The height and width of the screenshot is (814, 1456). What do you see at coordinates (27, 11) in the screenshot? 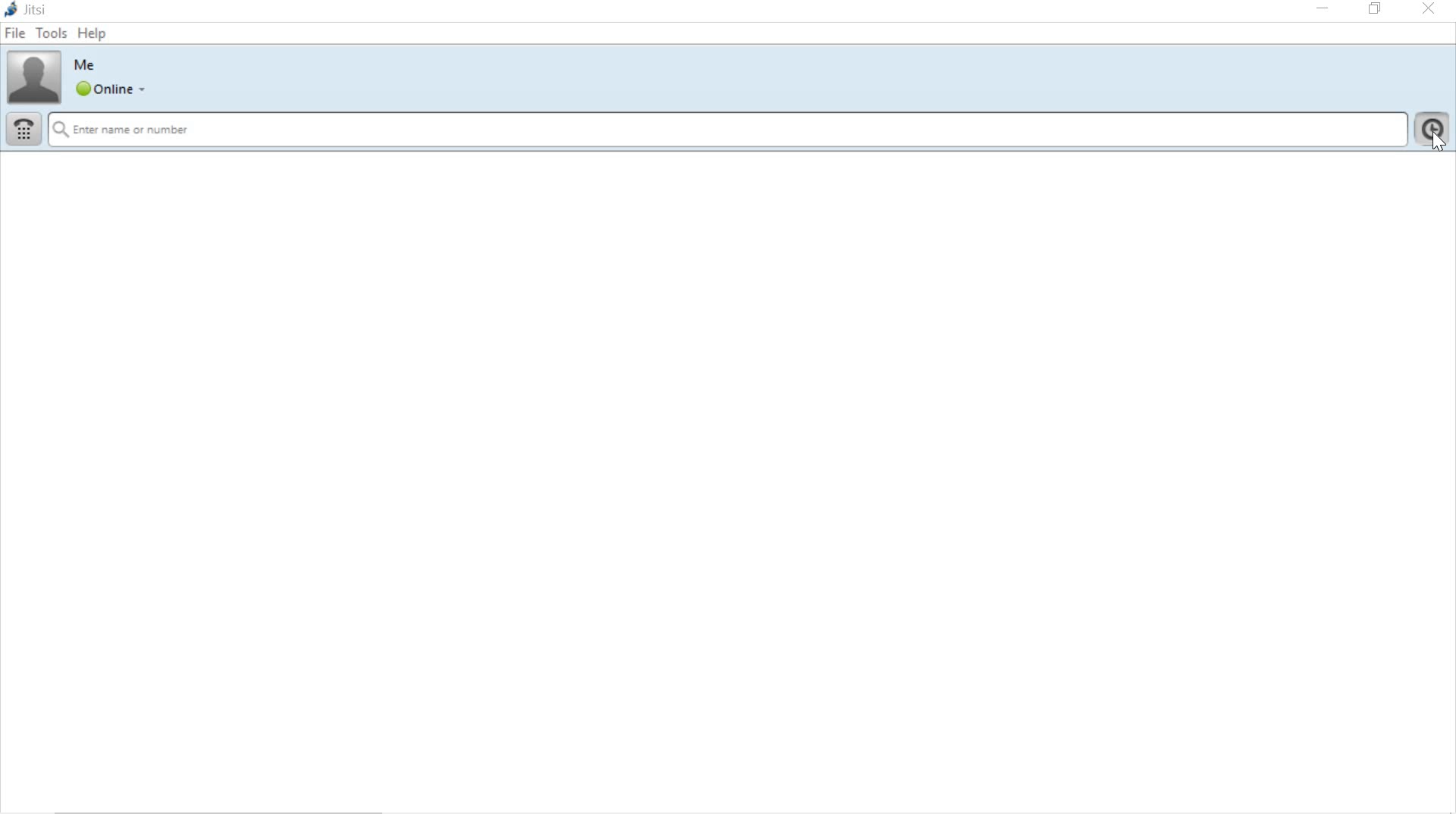
I see `system name` at bounding box center [27, 11].